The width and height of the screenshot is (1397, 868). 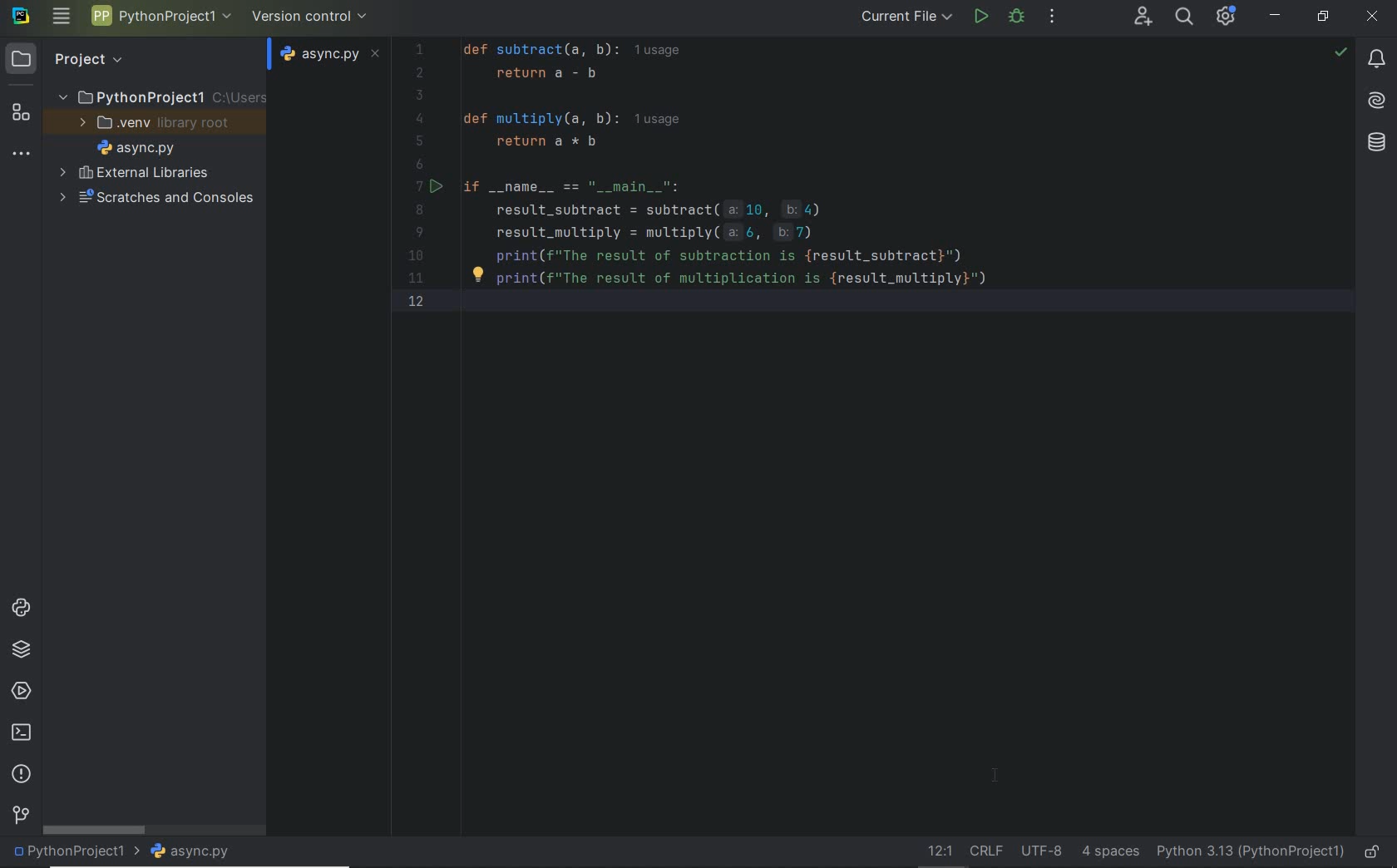 What do you see at coordinates (1340, 52) in the screenshot?
I see `no problem` at bounding box center [1340, 52].